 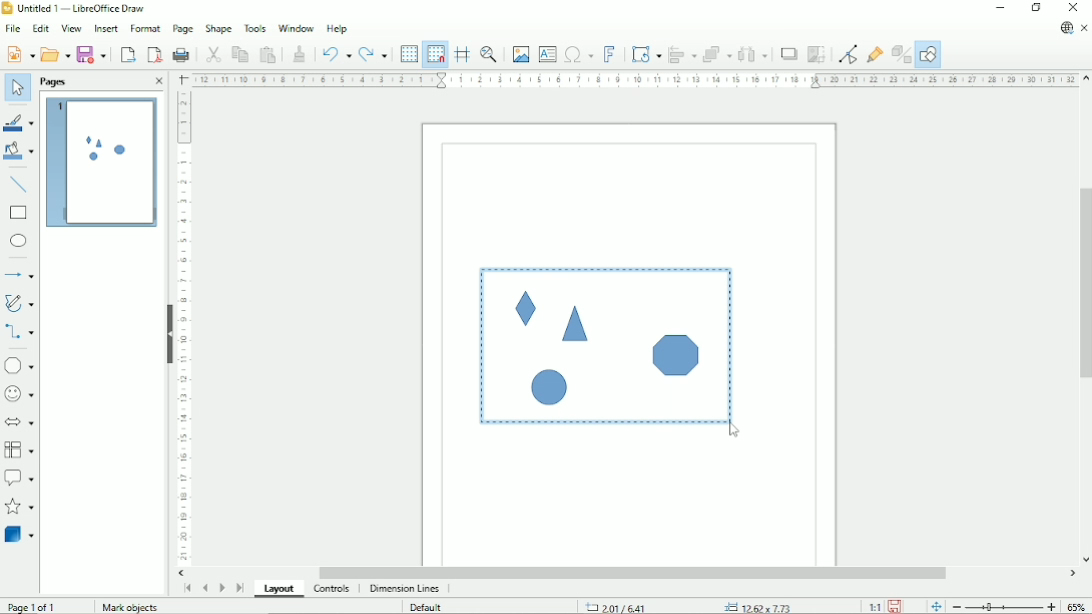 What do you see at coordinates (105, 29) in the screenshot?
I see `Insert` at bounding box center [105, 29].